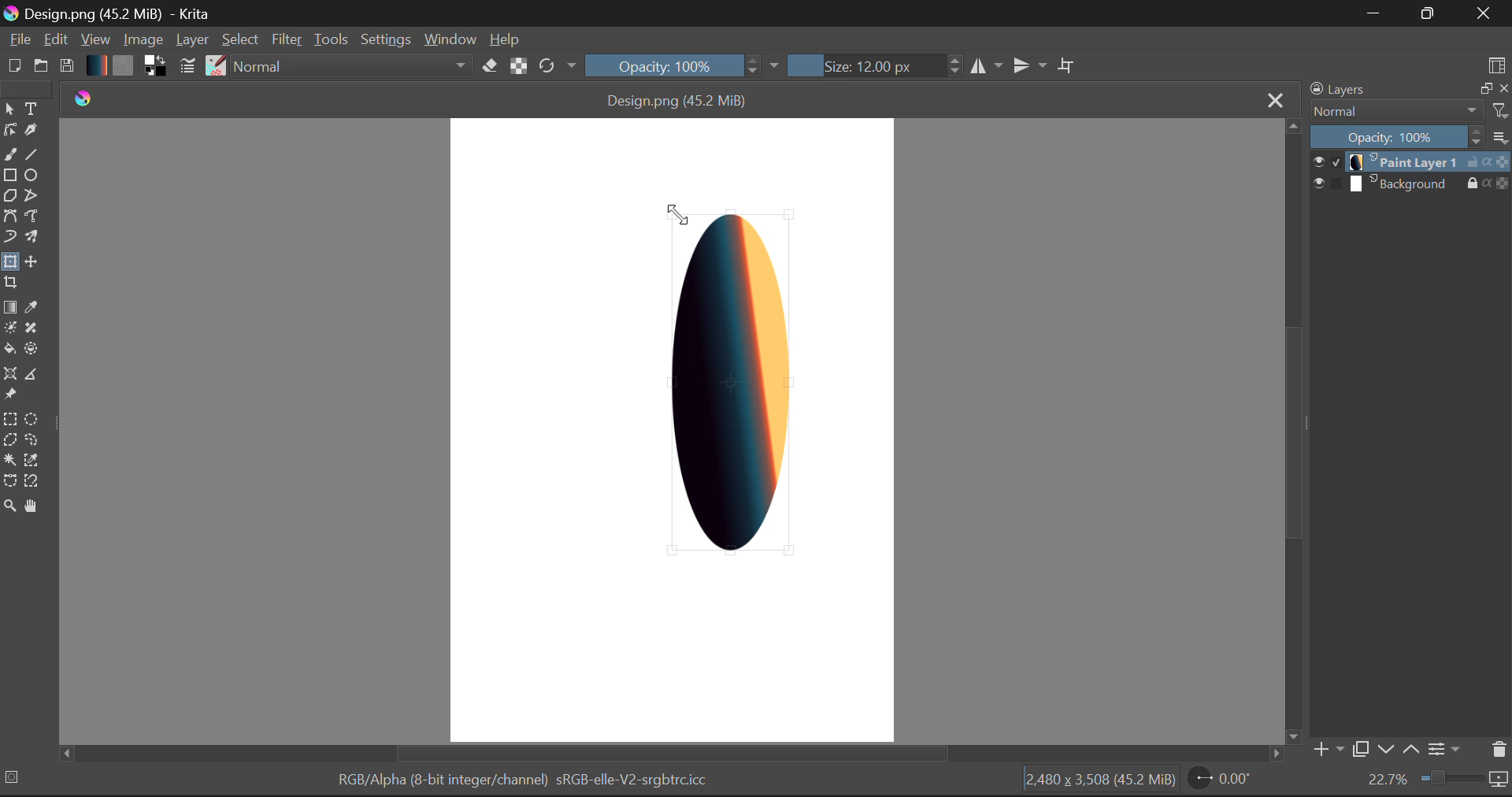 The image size is (1512, 797). What do you see at coordinates (17, 39) in the screenshot?
I see `File` at bounding box center [17, 39].